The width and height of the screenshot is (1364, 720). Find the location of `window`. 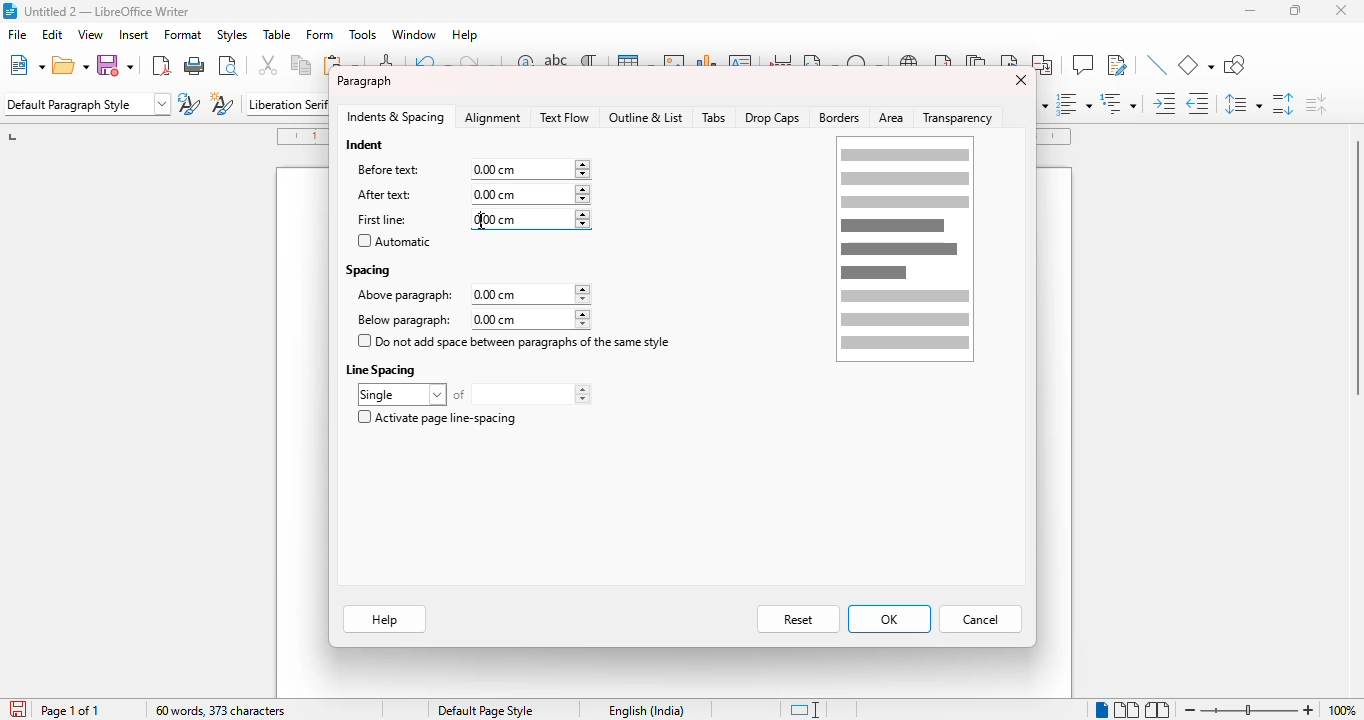

window is located at coordinates (414, 34).